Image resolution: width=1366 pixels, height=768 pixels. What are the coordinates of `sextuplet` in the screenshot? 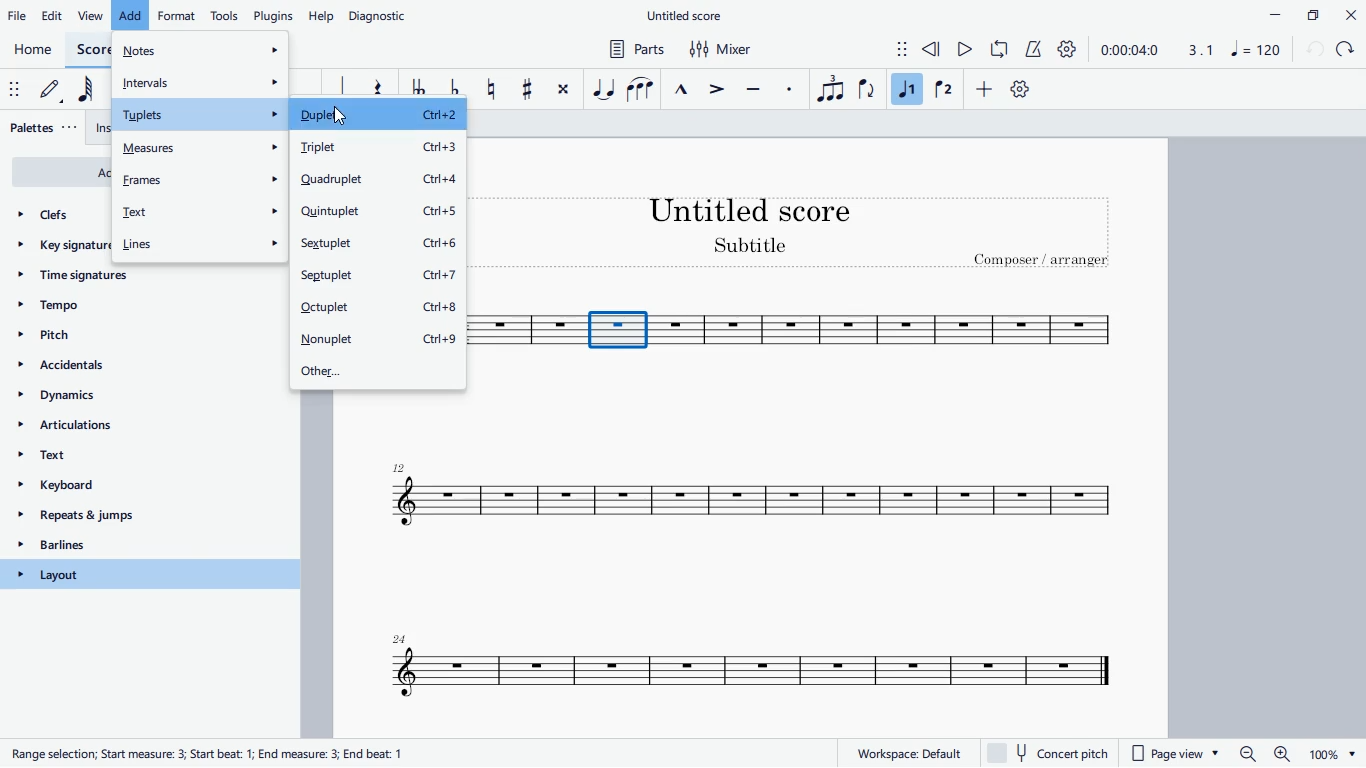 It's located at (381, 247).